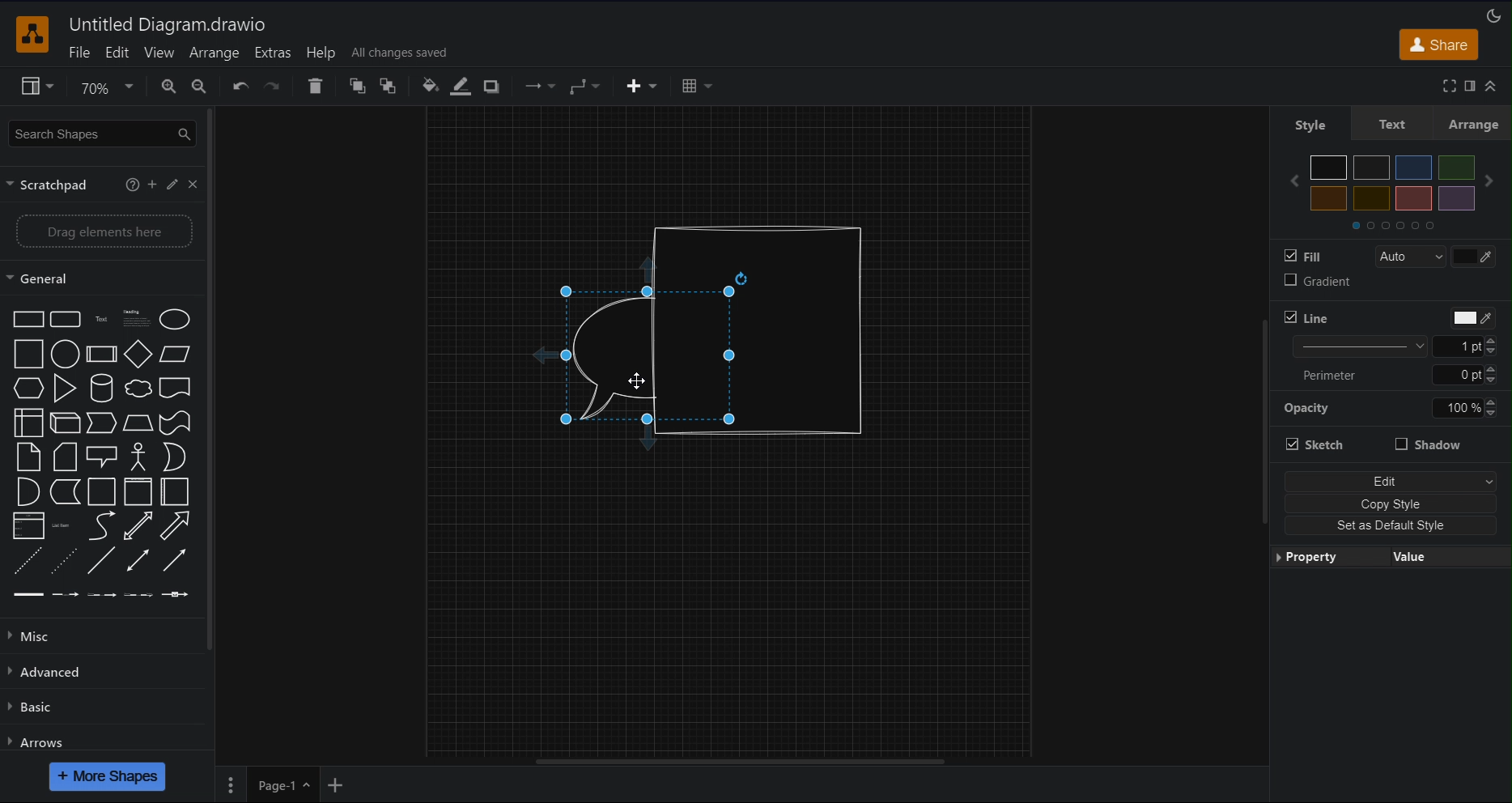  I want to click on Undo, so click(239, 86).